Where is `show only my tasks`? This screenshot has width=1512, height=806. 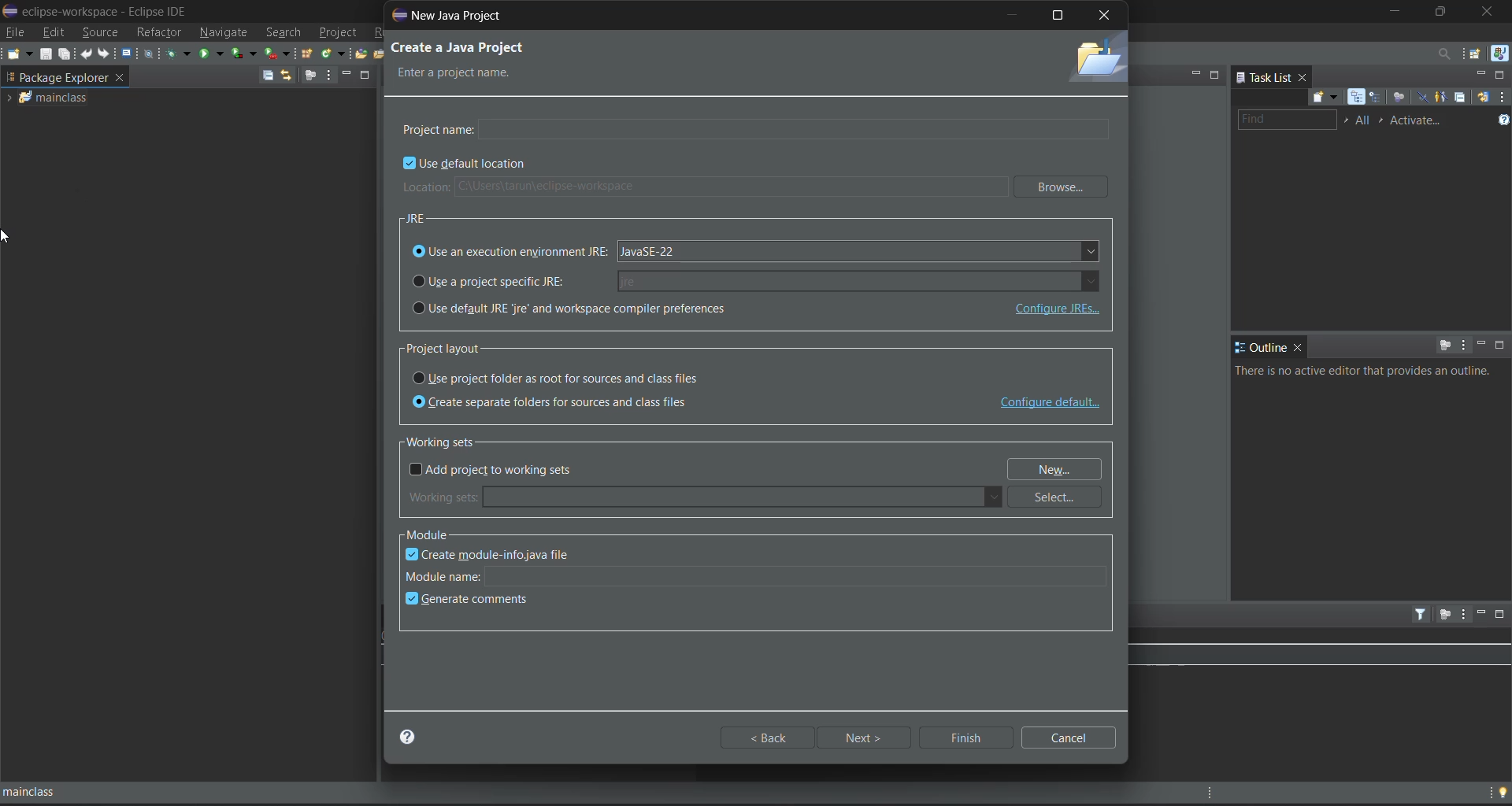
show only my tasks is located at coordinates (1443, 97).